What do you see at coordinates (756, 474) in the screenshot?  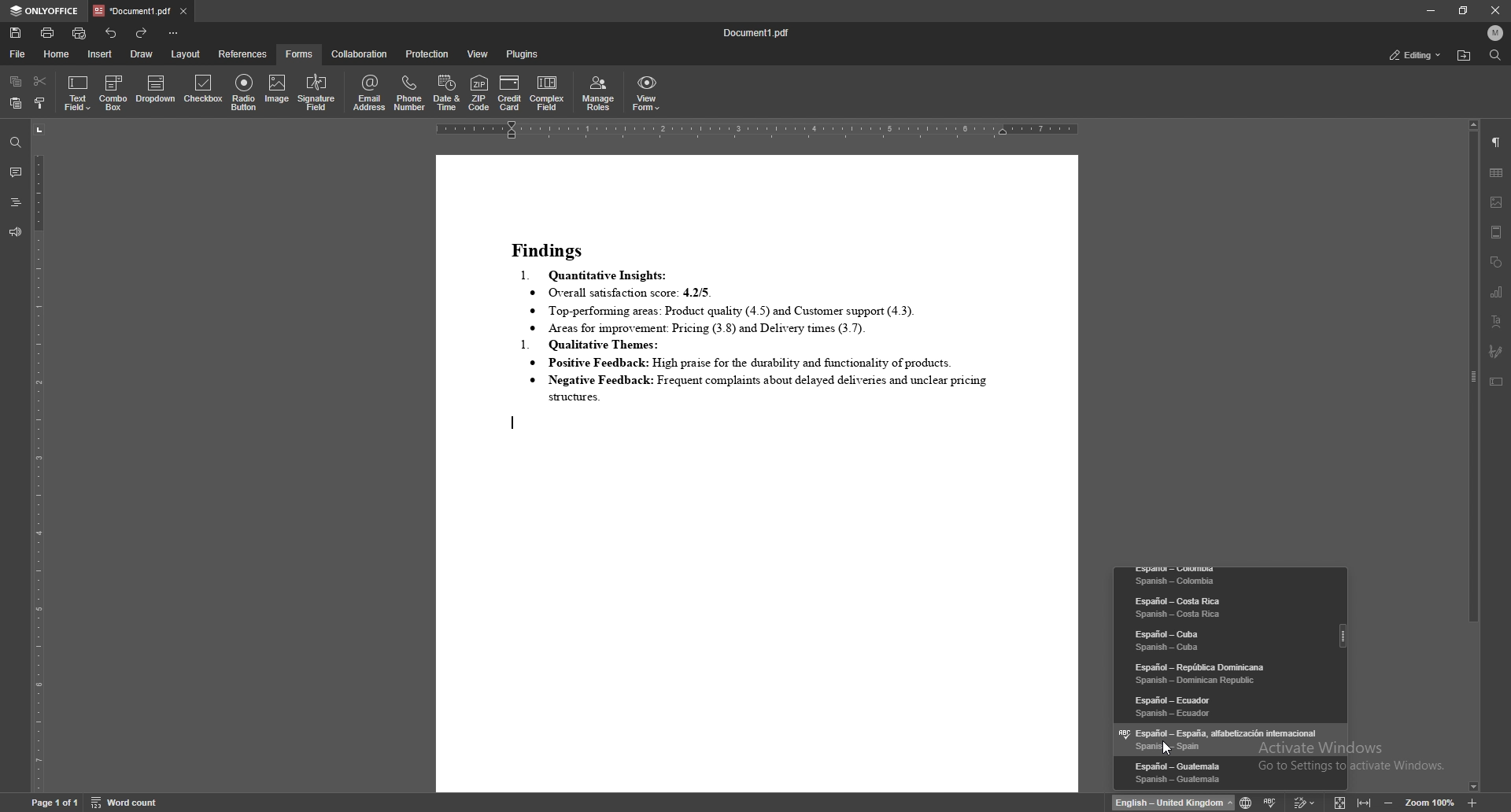 I see `document` at bounding box center [756, 474].